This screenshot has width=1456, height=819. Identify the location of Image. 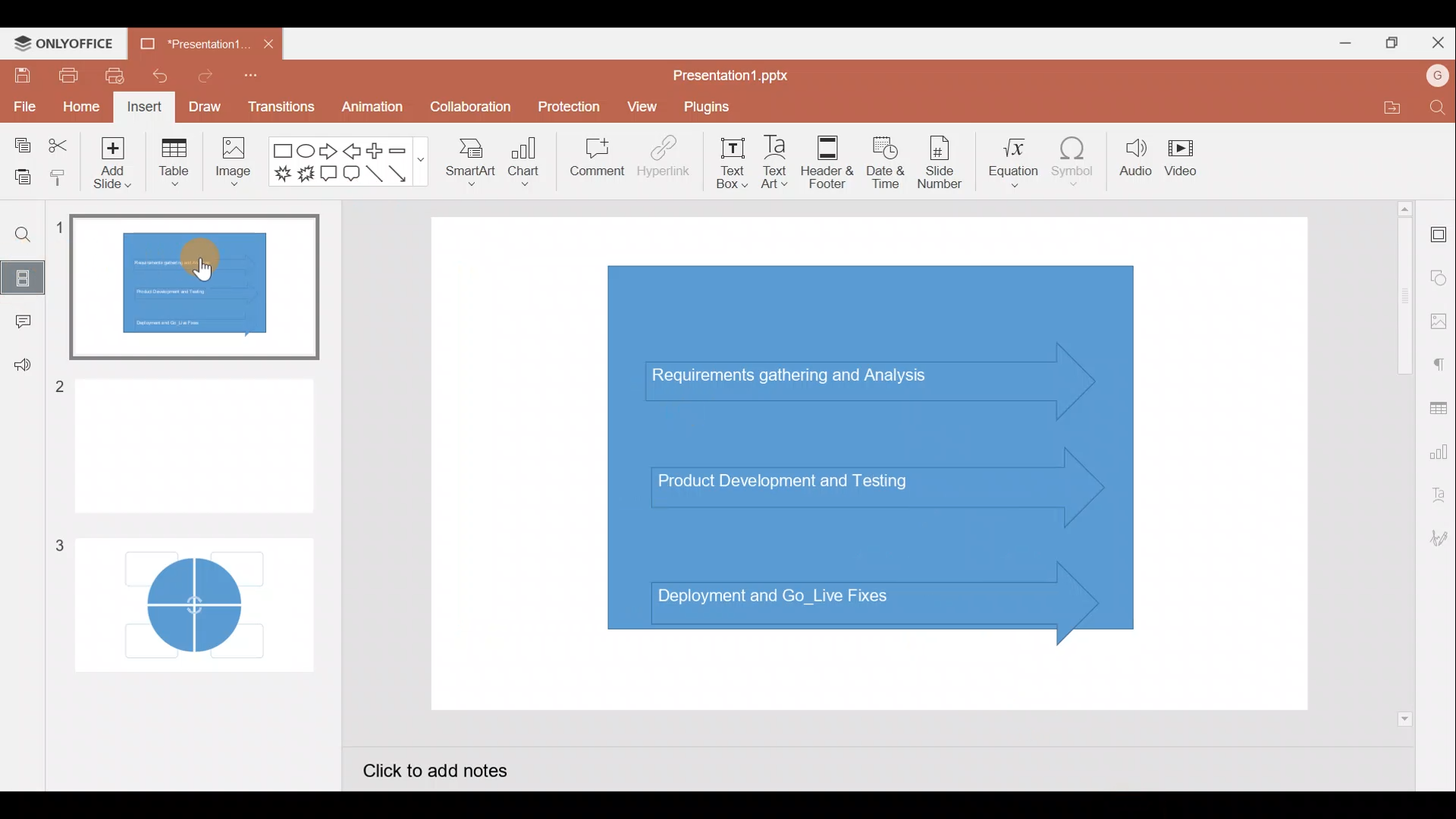
(236, 168).